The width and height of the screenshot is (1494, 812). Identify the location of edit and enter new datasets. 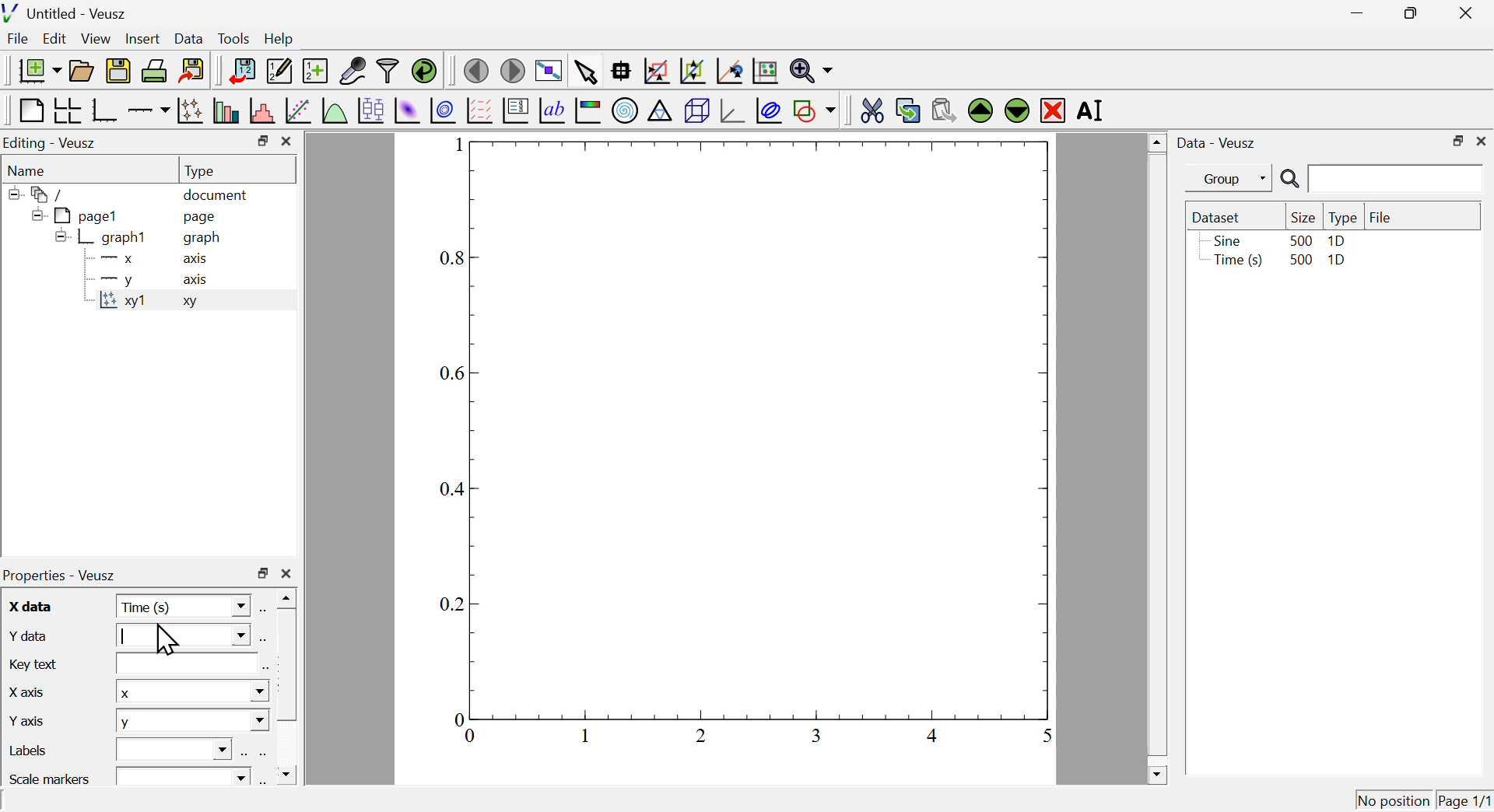
(278, 71).